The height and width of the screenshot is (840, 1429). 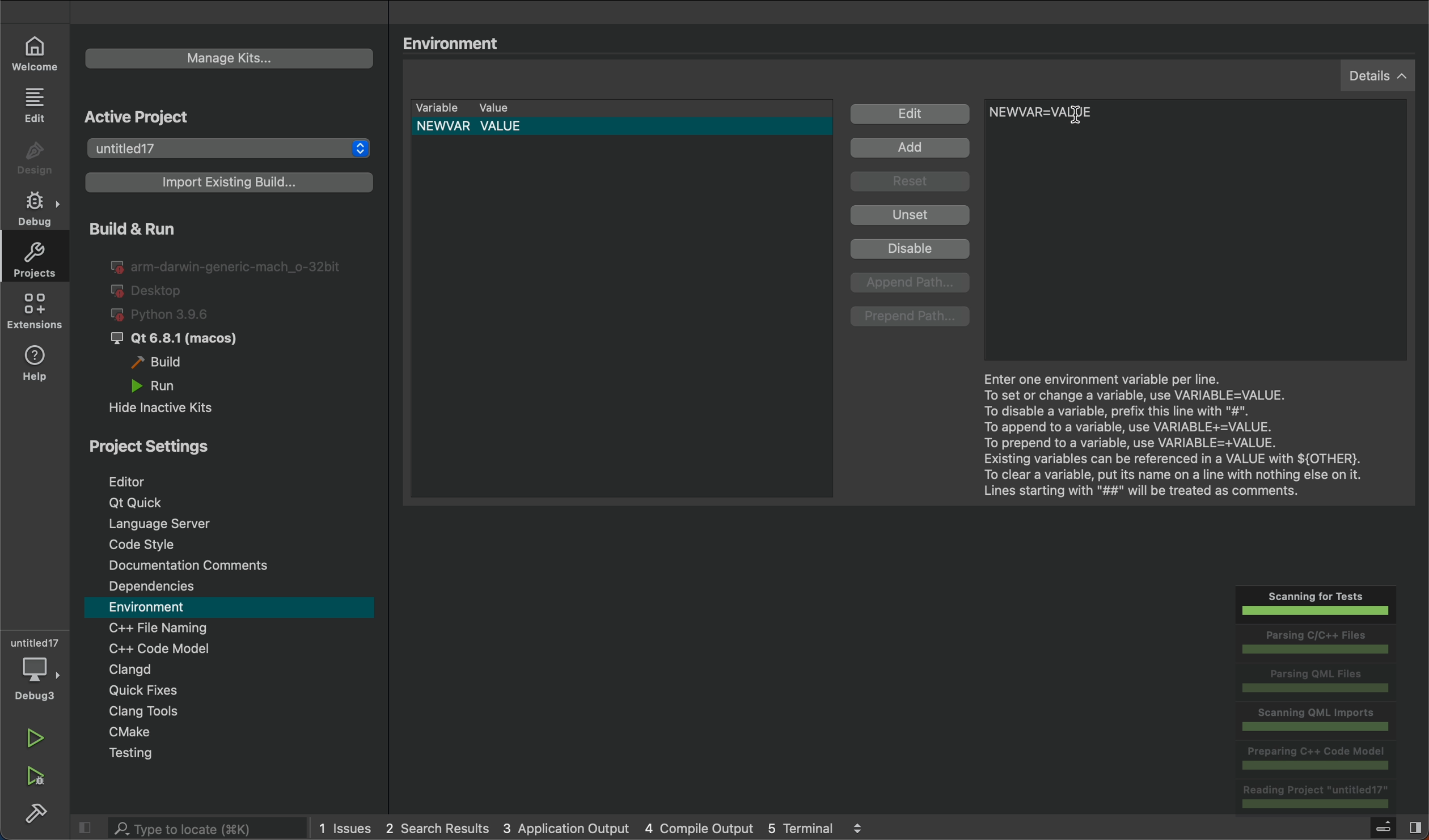 What do you see at coordinates (1083, 115) in the screenshot?
I see `before type` at bounding box center [1083, 115].